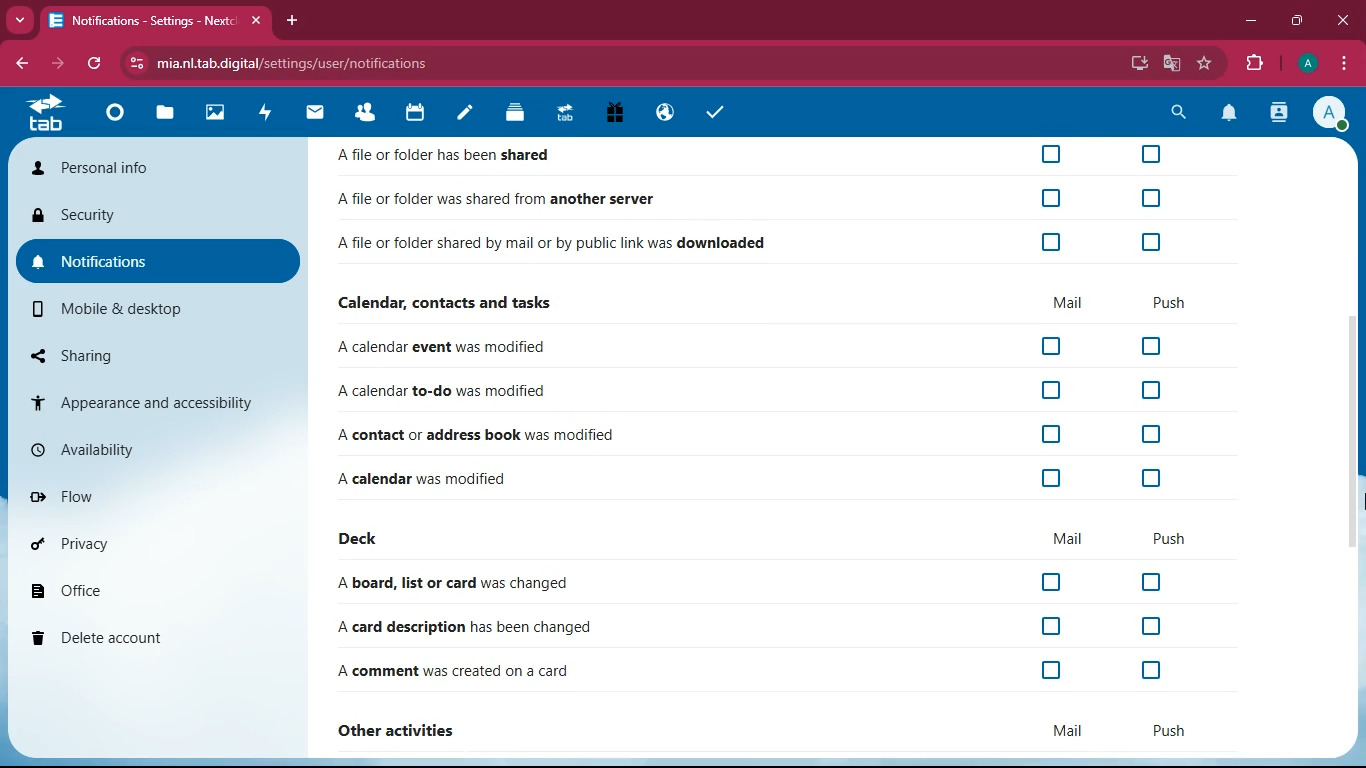 The width and height of the screenshot is (1366, 768). What do you see at coordinates (1206, 63) in the screenshot?
I see `favorite` at bounding box center [1206, 63].